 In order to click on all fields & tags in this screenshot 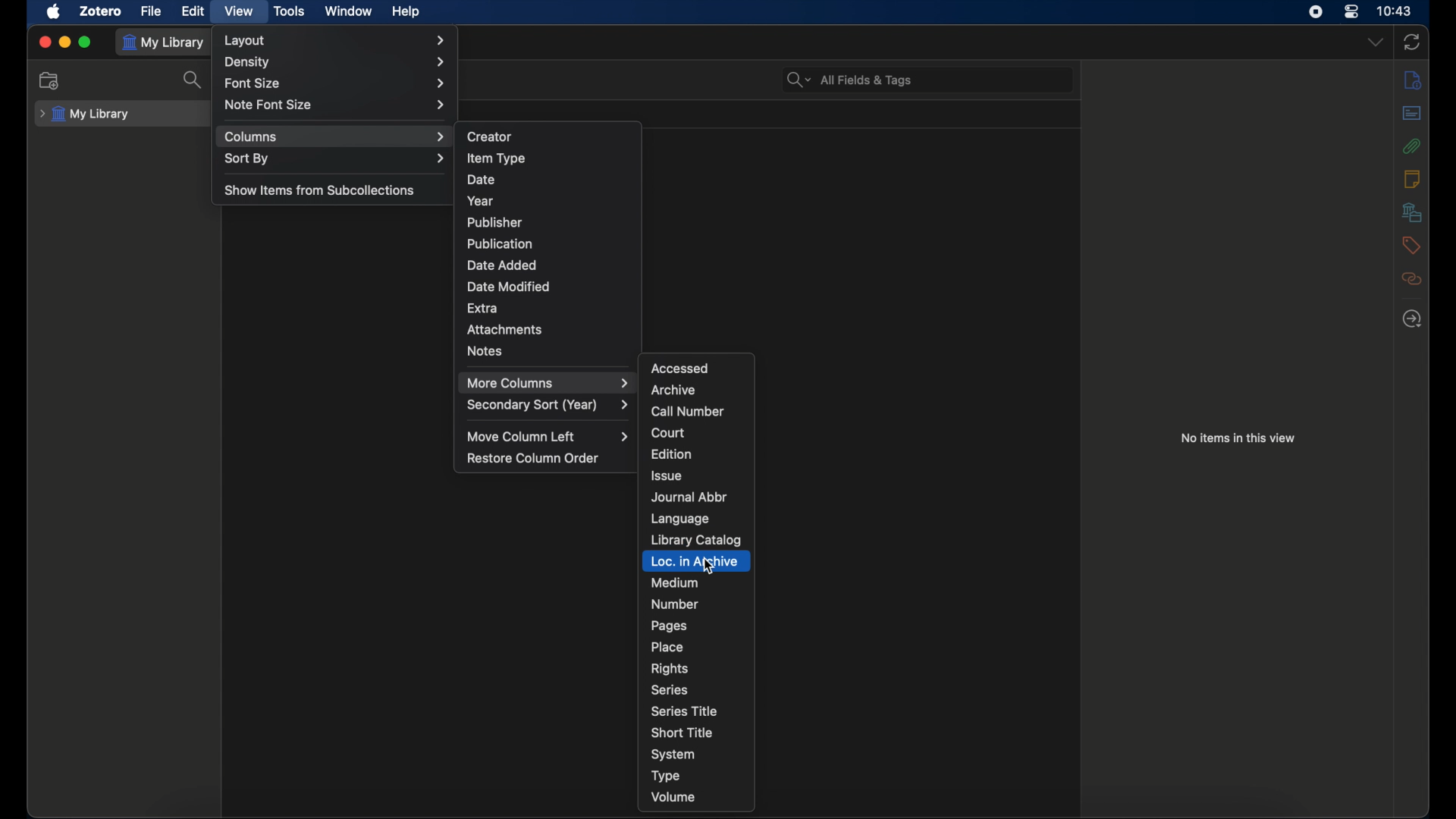, I will do `click(851, 79)`.